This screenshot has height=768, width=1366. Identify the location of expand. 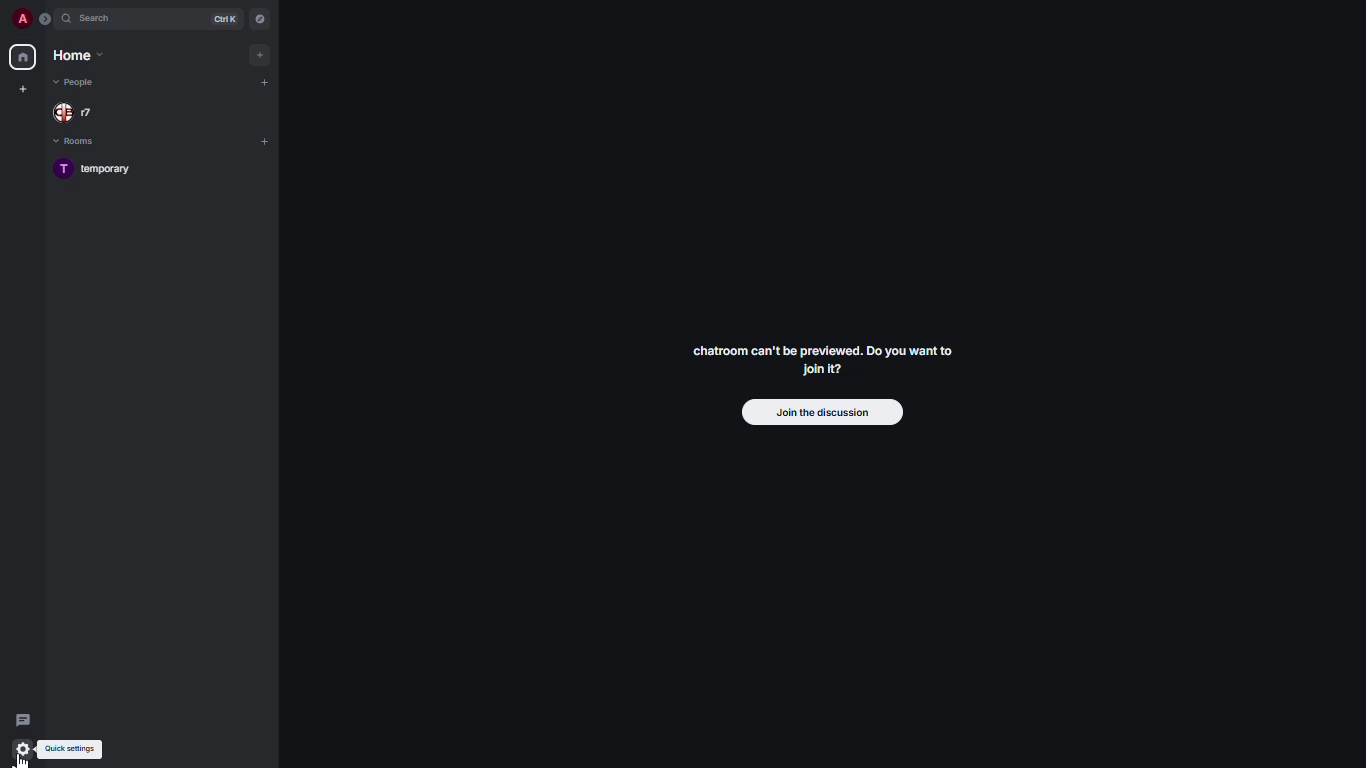
(45, 20).